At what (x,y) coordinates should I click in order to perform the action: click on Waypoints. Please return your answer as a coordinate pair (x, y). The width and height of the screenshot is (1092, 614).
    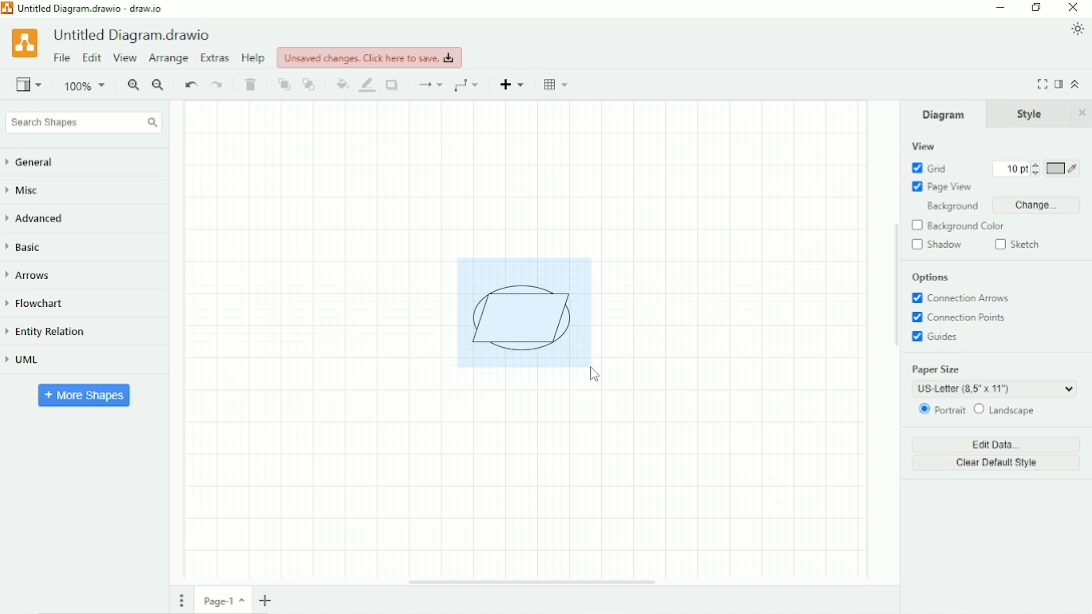
    Looking at the image, I should click on (469, 85).